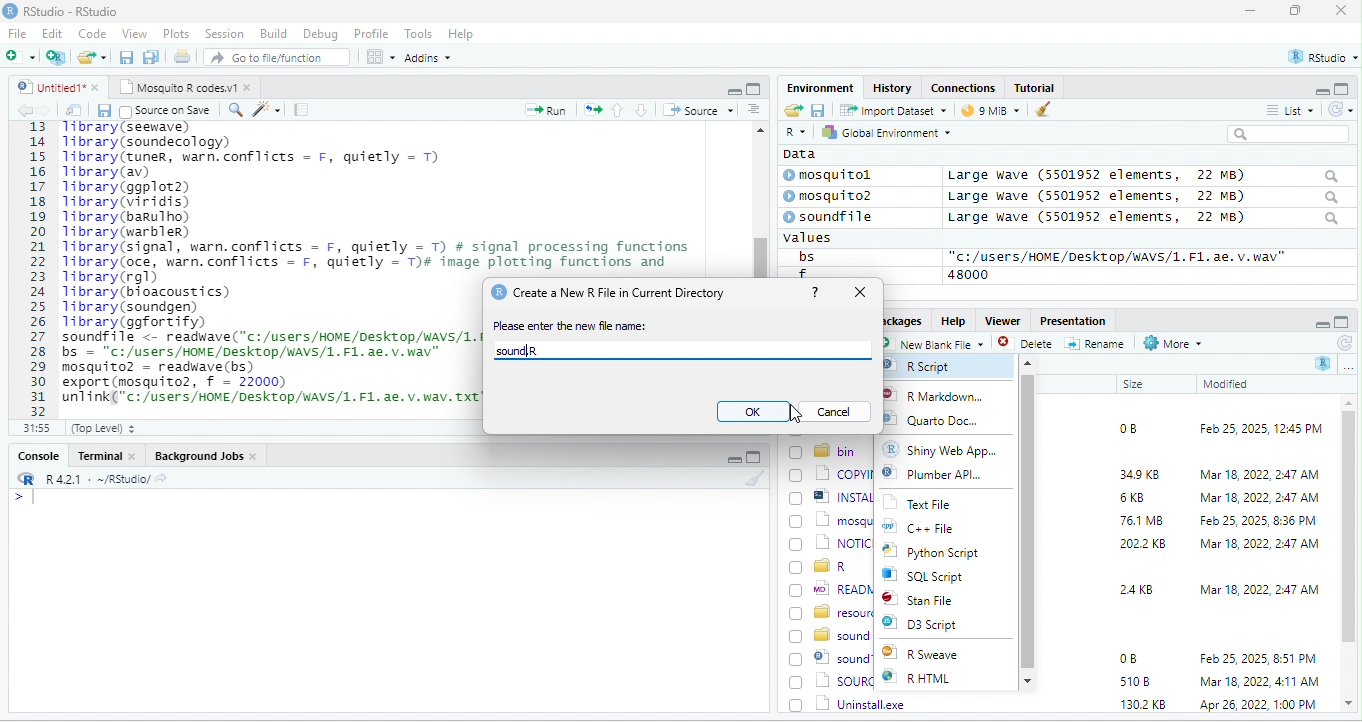 The width and height of the screenshot is (1362, 722). Describe the element at coordinates (825, 450) in the screenshot. I see `Ld bin` at that location.